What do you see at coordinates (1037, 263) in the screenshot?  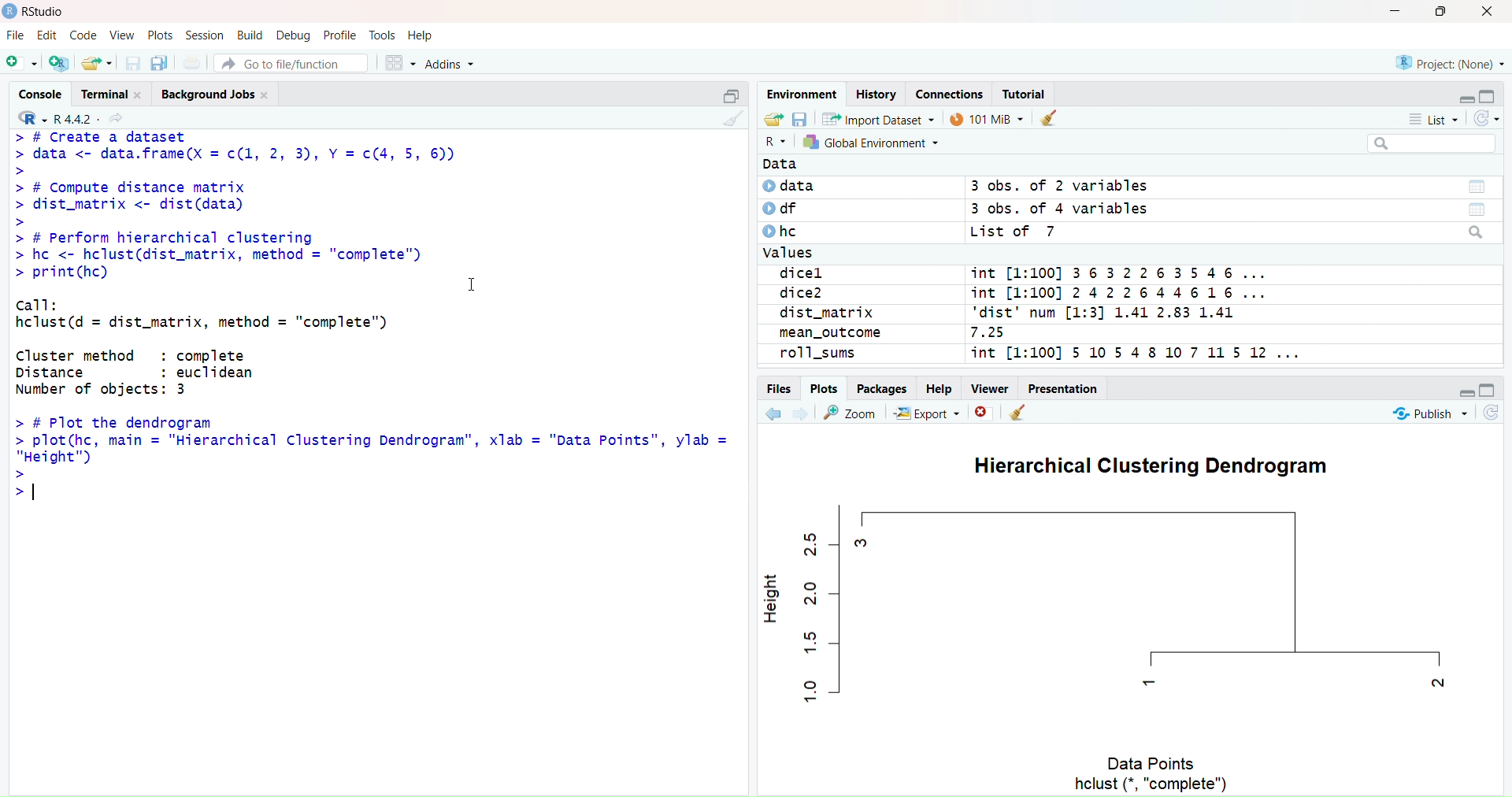 I see `Data

© data 3 obs. of 2 variables

O df 3 obs. of 4 variables

Ohe List of 7

Values
dicel int [1:100] 3632263546 ...
dice2 int [1:100] 2422644616 ...
dist_matrix "dist' num [1:3] 1.41 2.83 1.41
mean_outcome 7.25
roll_sums int [1:100] 5 10 54 8 10 7 11 5 12 ...` at bounding box center [1037, 263].